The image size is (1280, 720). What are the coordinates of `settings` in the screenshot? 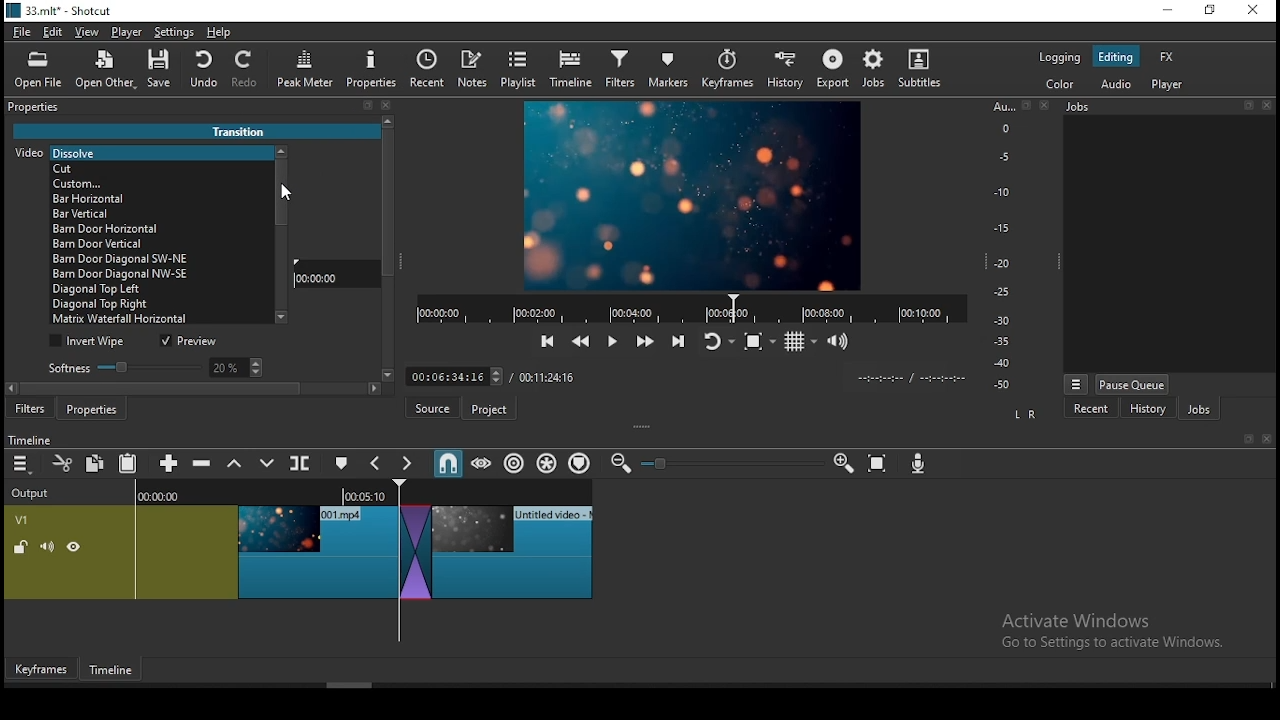 It's located at (175, 35).